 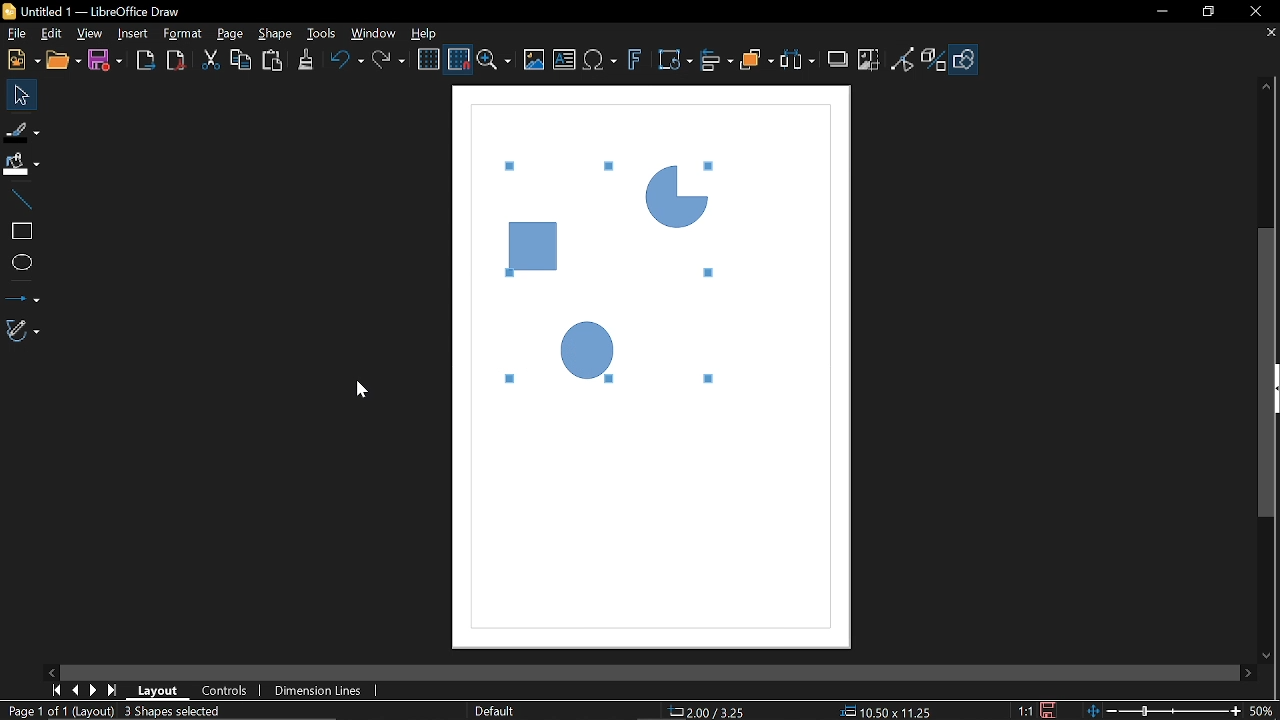 What do you see at coordinates (50, 33) in the screenshot?
I see `Edit` at bounding box center [50, 33].